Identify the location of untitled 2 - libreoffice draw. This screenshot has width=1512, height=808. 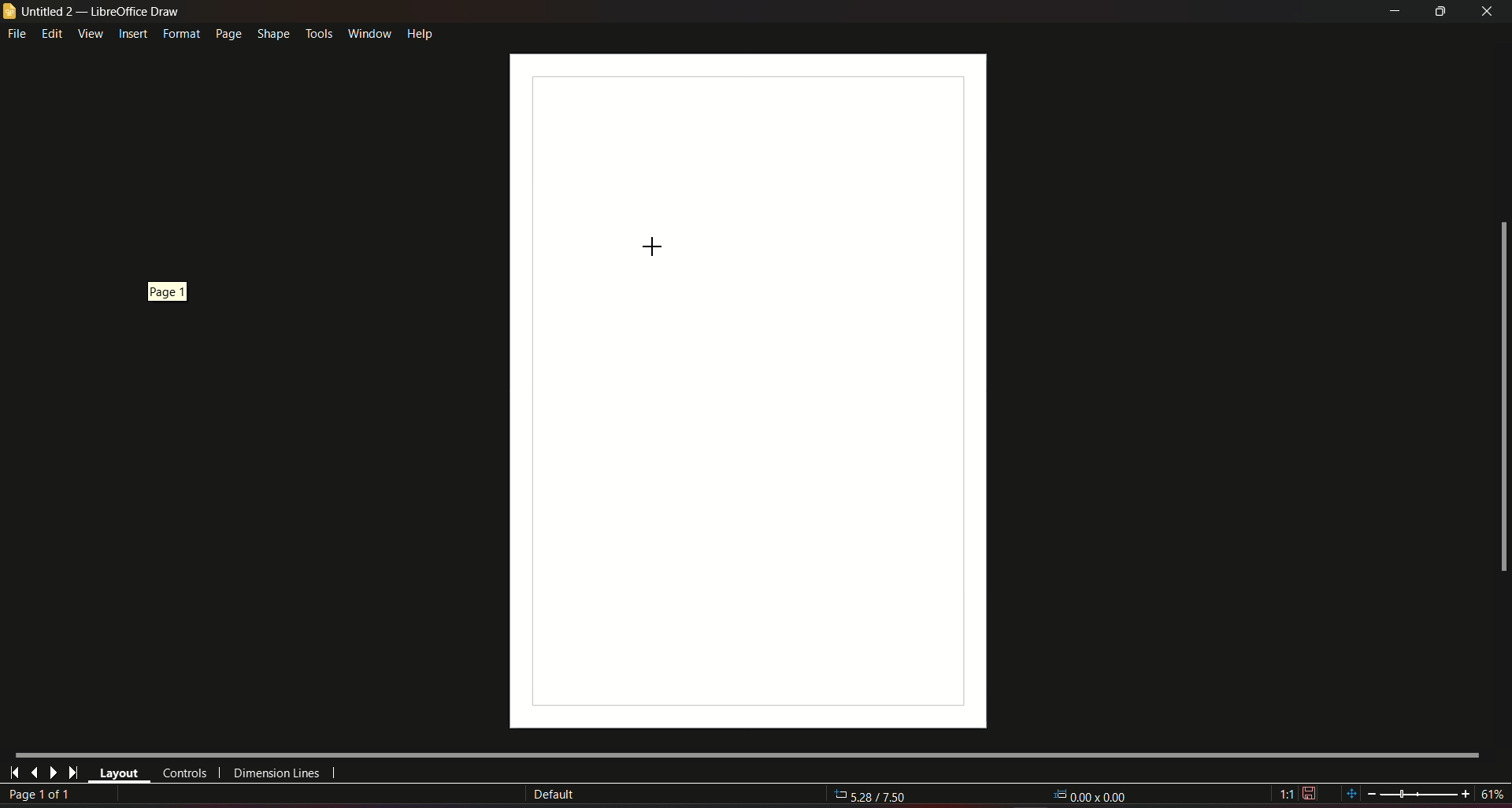
(93, 12).